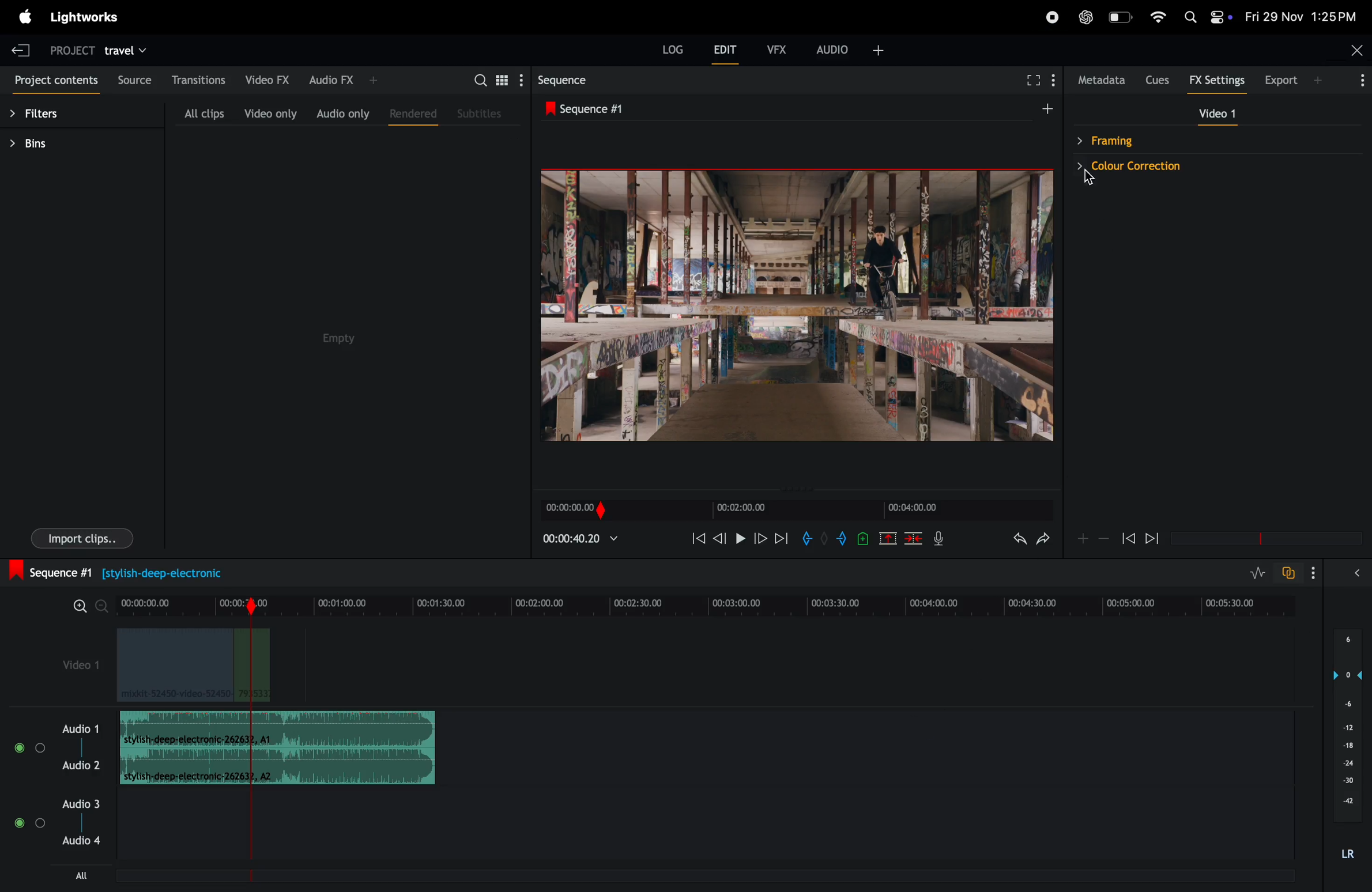 The height and width of the screenshot is (892, 1372). Describe the element at coordinates (1302, 16) in the screenshot. I see `date and time` at that location.